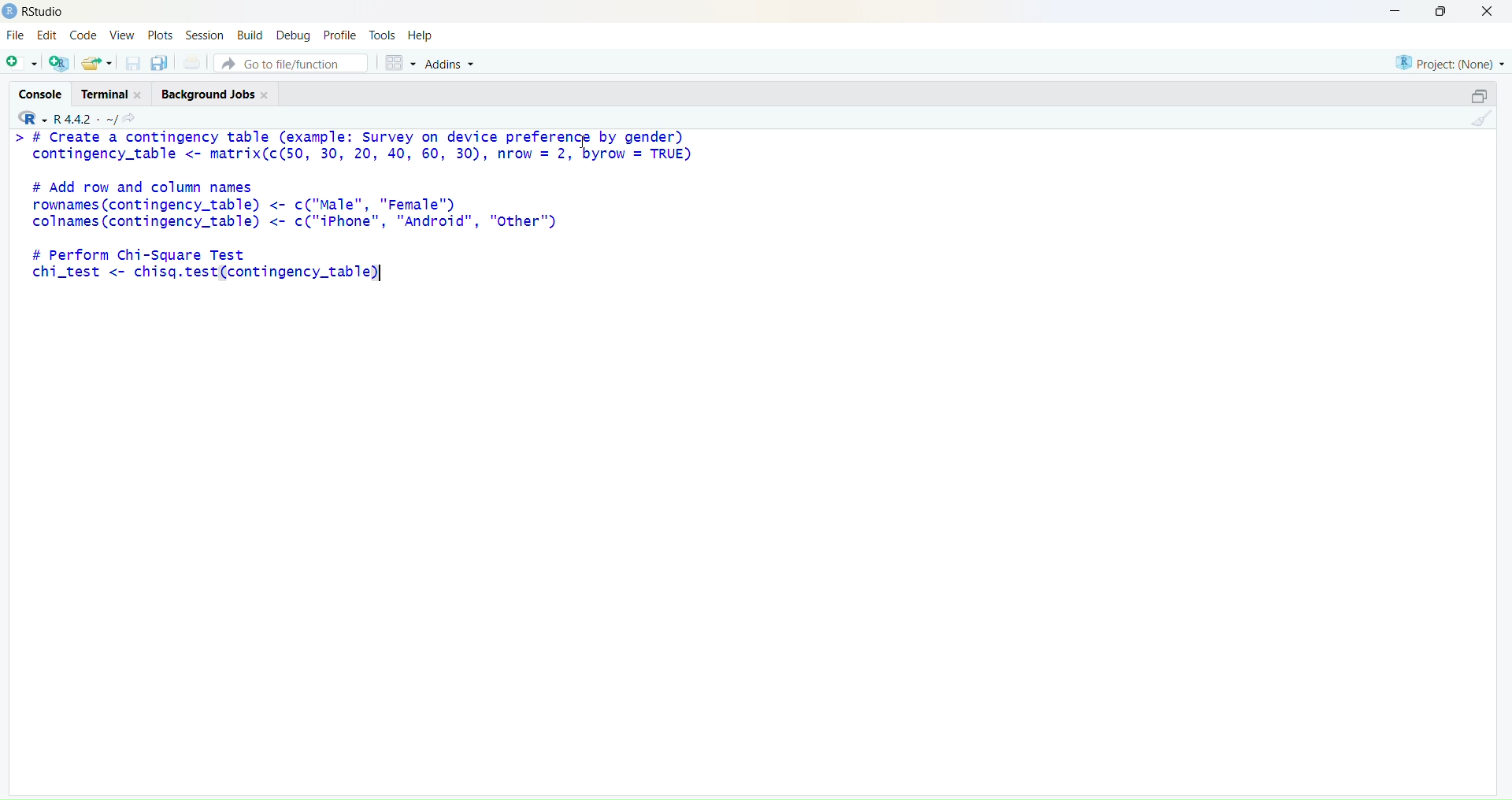 This screenshot has width=1512, height=800. What do you see at coordinates (343, 36) in the screenshot?
I see `Profile` at bounding box center [343, 36].